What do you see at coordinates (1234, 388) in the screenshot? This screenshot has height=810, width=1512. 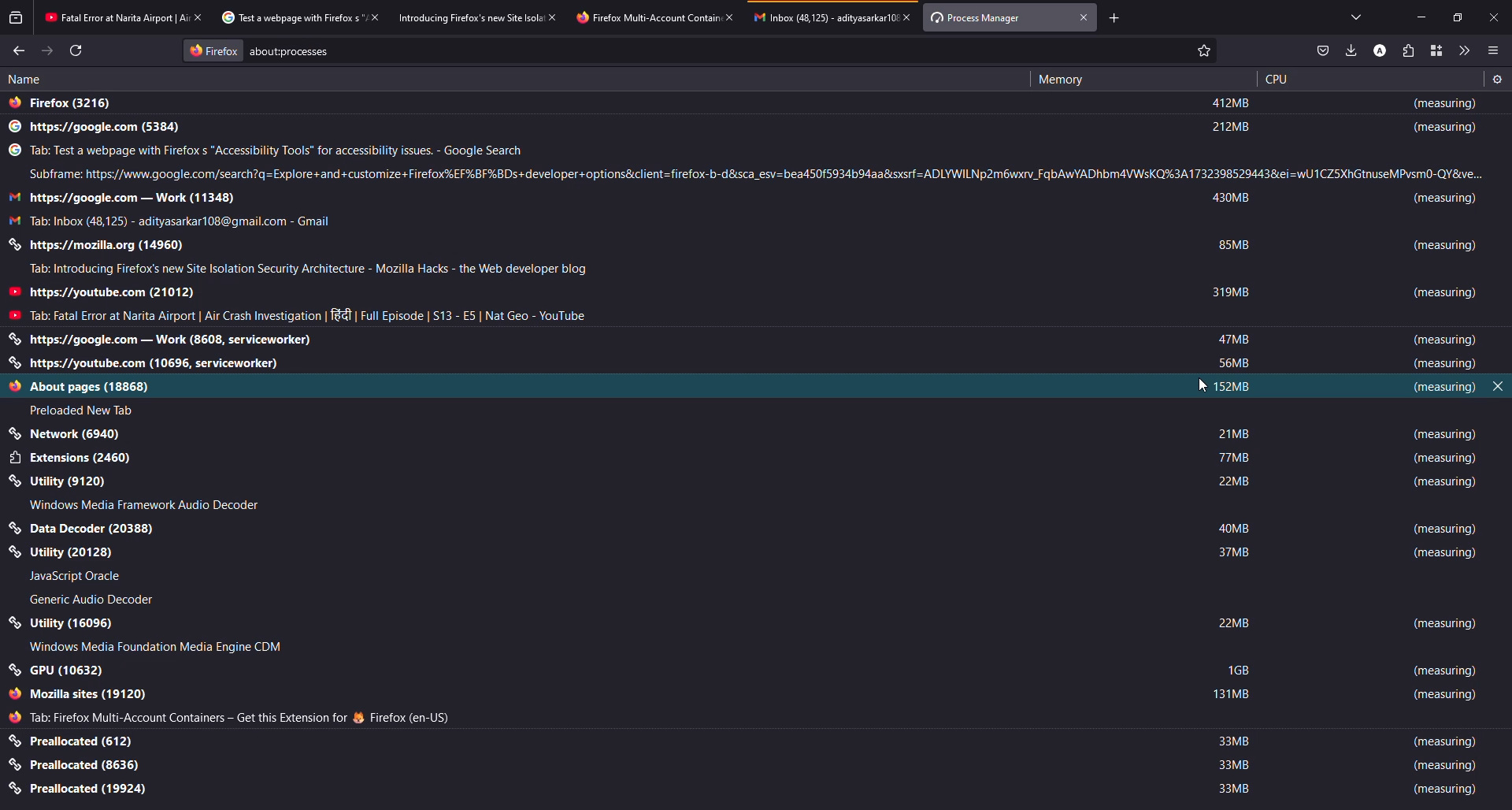 I see `152 mb` at bounding box center [1234, 388].